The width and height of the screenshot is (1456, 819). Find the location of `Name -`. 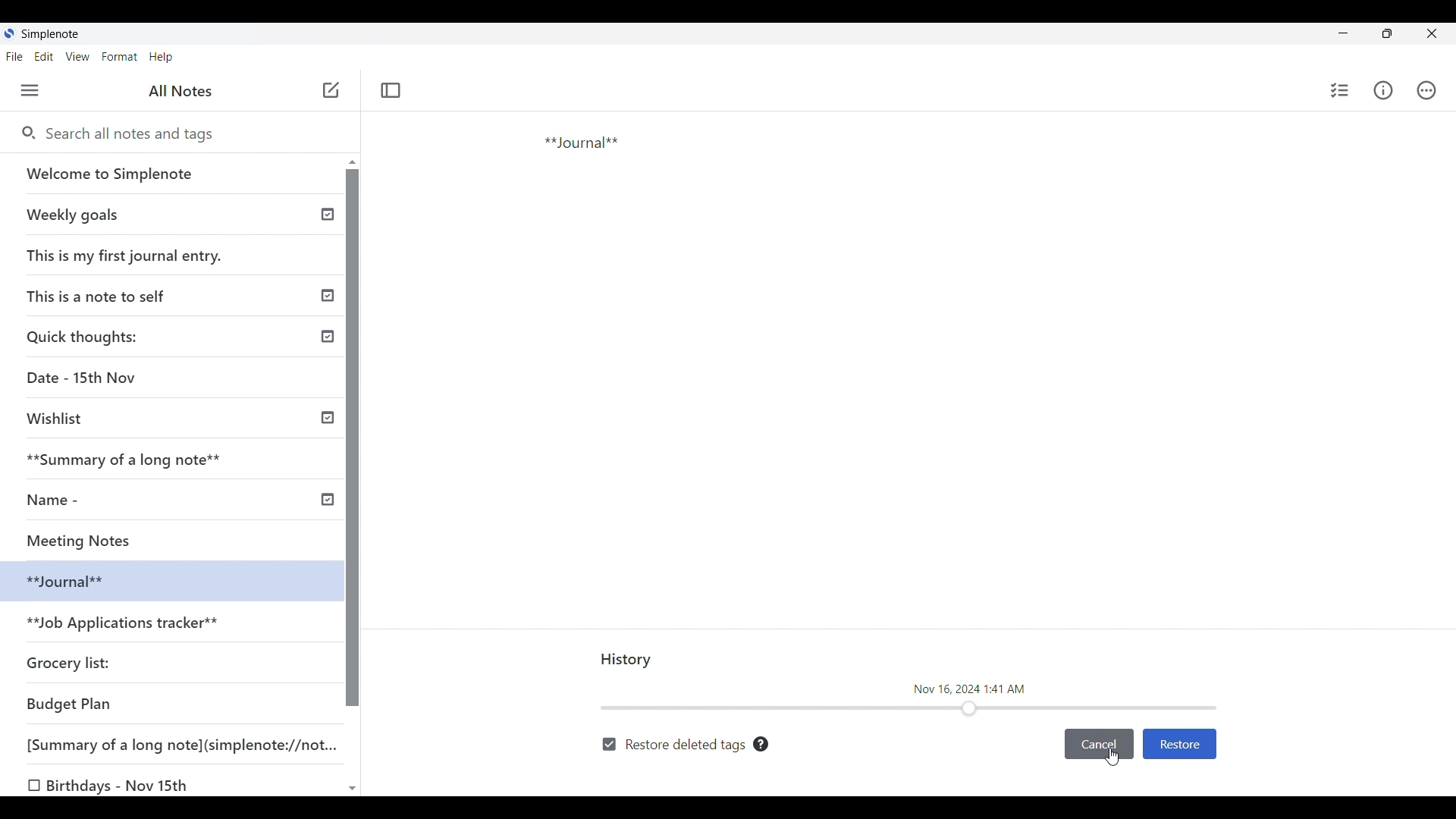

Name - is located at coordinates (58, 500).